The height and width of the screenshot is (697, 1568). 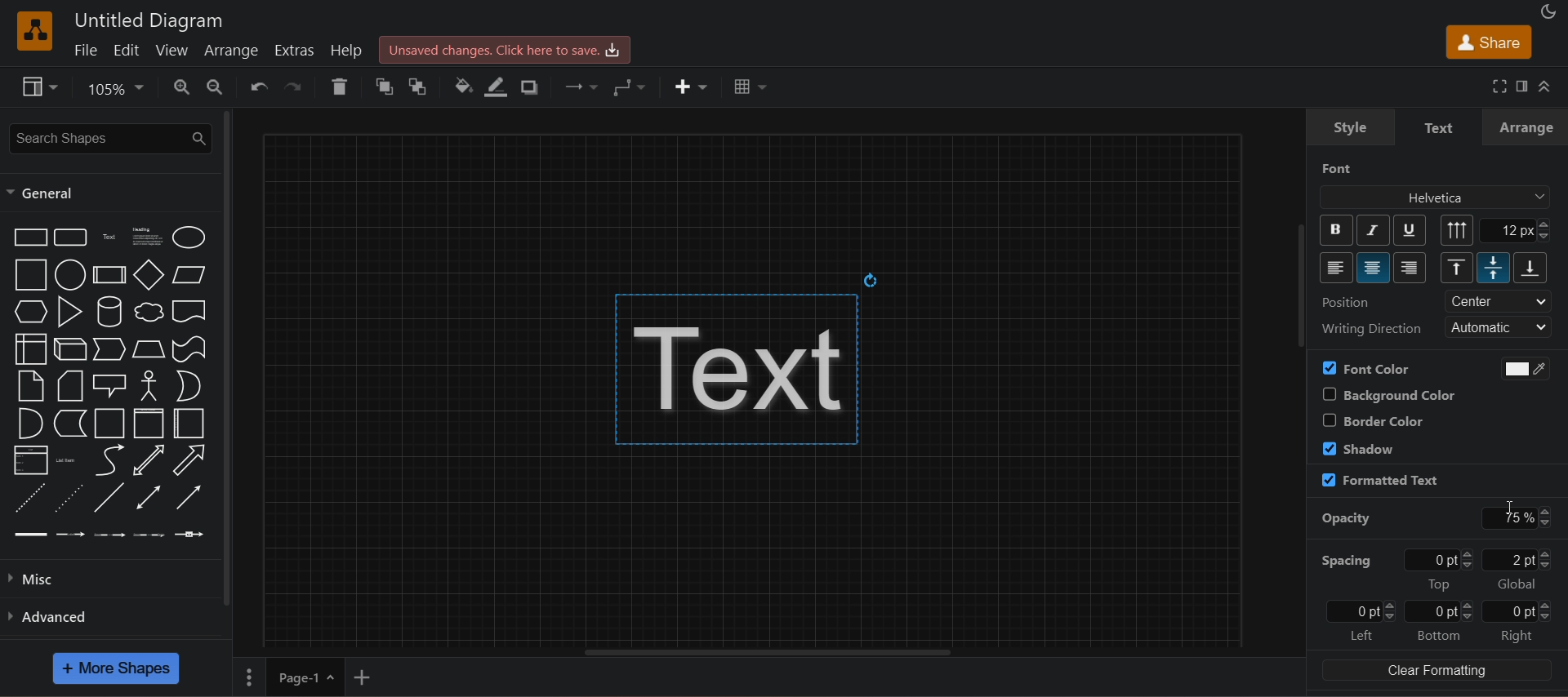 I want to click on list, so click(x=31, y=459).